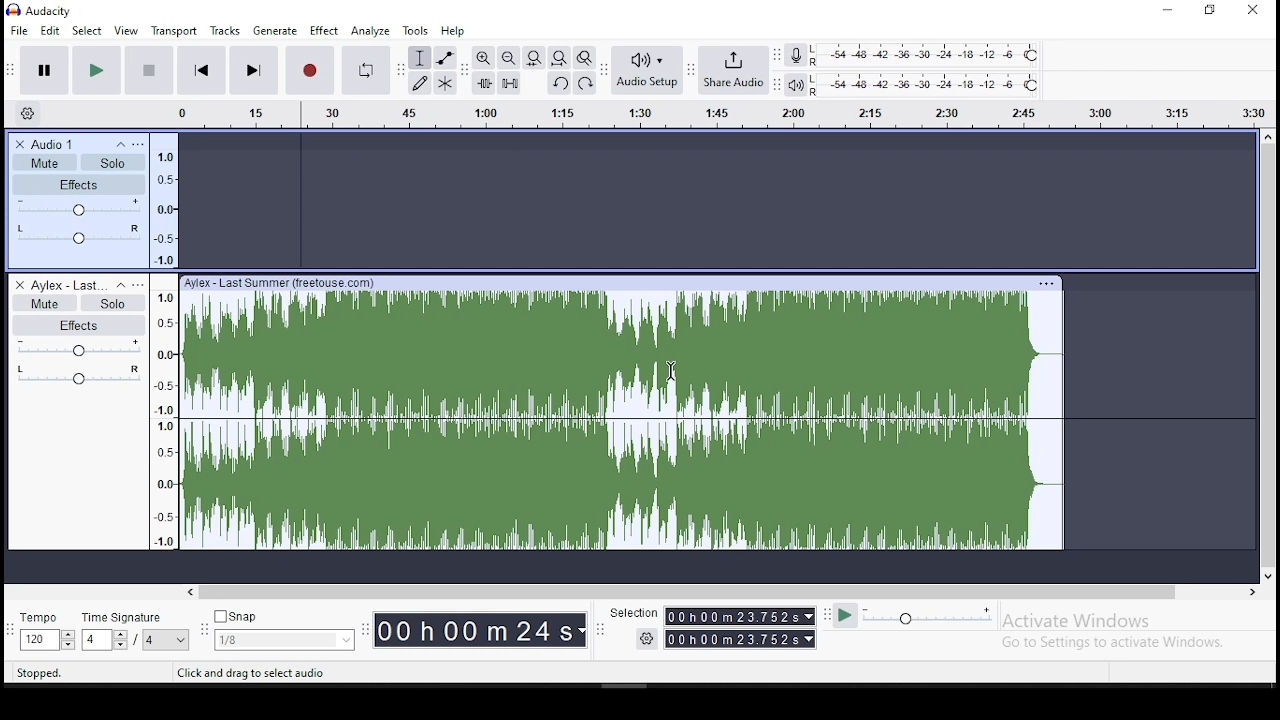  I want to click on close window, so click(1255, 10).